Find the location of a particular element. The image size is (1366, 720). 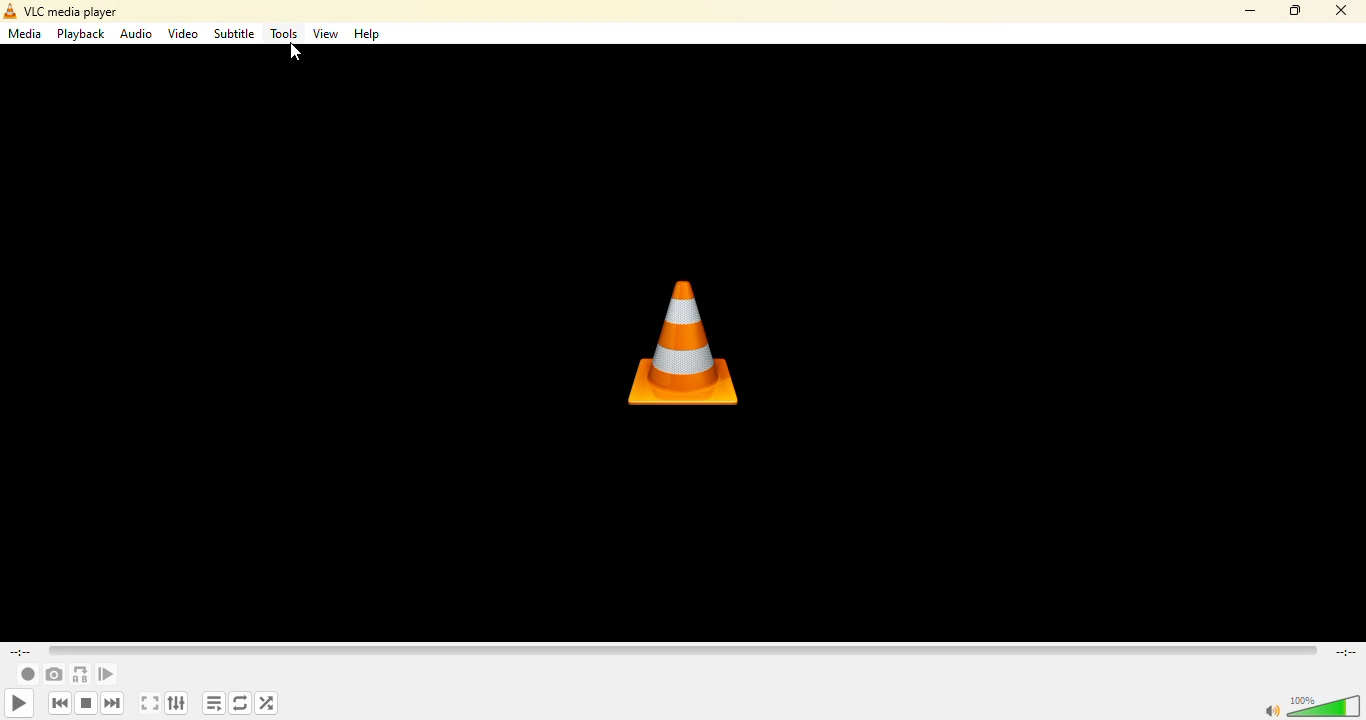

toggle the video in fullscreen is located at coordinates (149, 704).